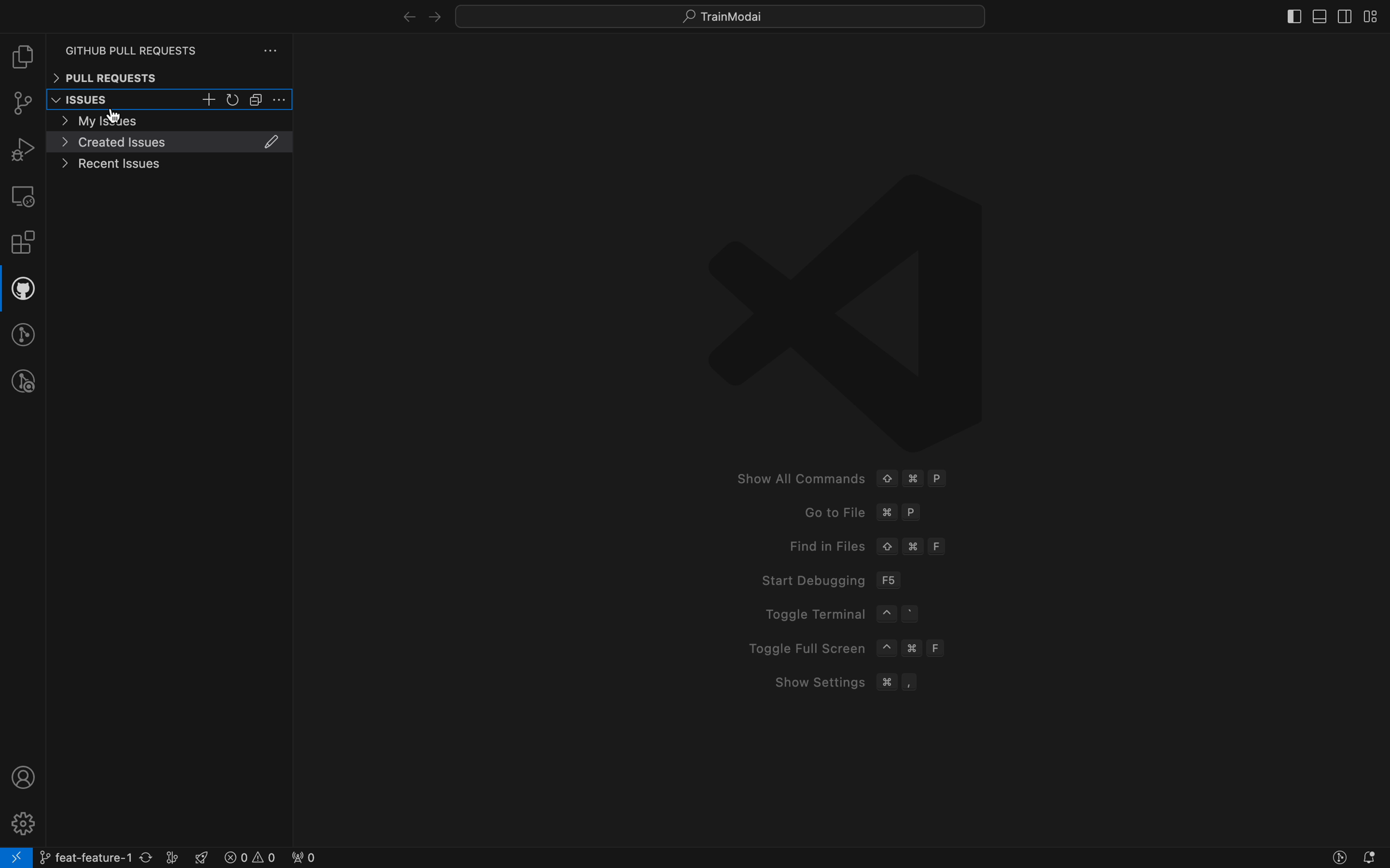 The width and height of the screenshot is (1390, 868). What do you see at coordinates (1278, 15) in the screenshot?
I see `toggle side bar` at bounding box center [1278, 15].